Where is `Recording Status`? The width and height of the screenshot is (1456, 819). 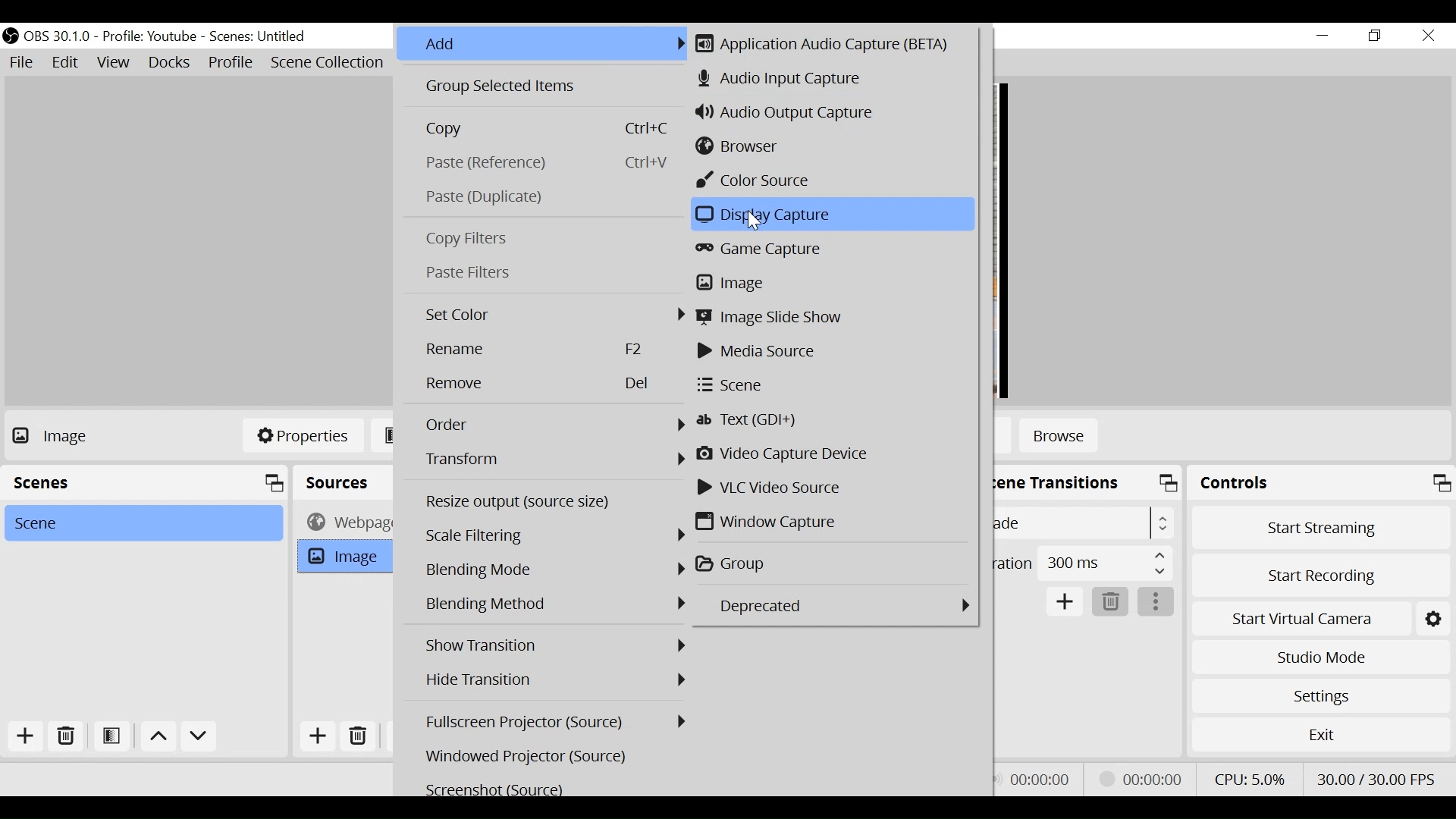
Recording Status is located at coordinates (1145, 777).